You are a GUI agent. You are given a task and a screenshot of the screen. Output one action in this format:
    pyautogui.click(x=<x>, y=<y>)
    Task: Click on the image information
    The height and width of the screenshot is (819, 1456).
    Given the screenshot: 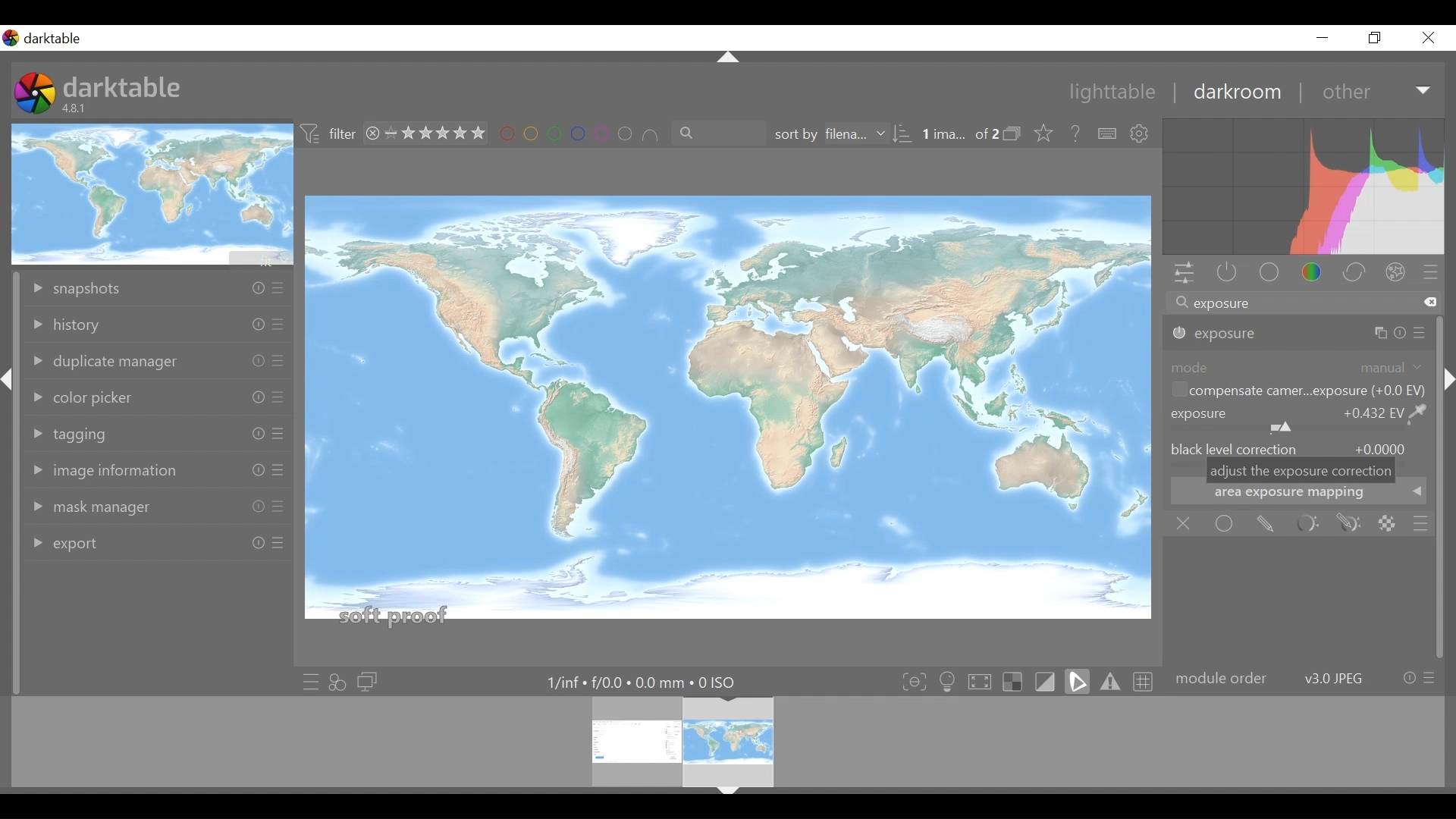 What is the action you would take?
    pyautogui.click(x=111, y=469)
    